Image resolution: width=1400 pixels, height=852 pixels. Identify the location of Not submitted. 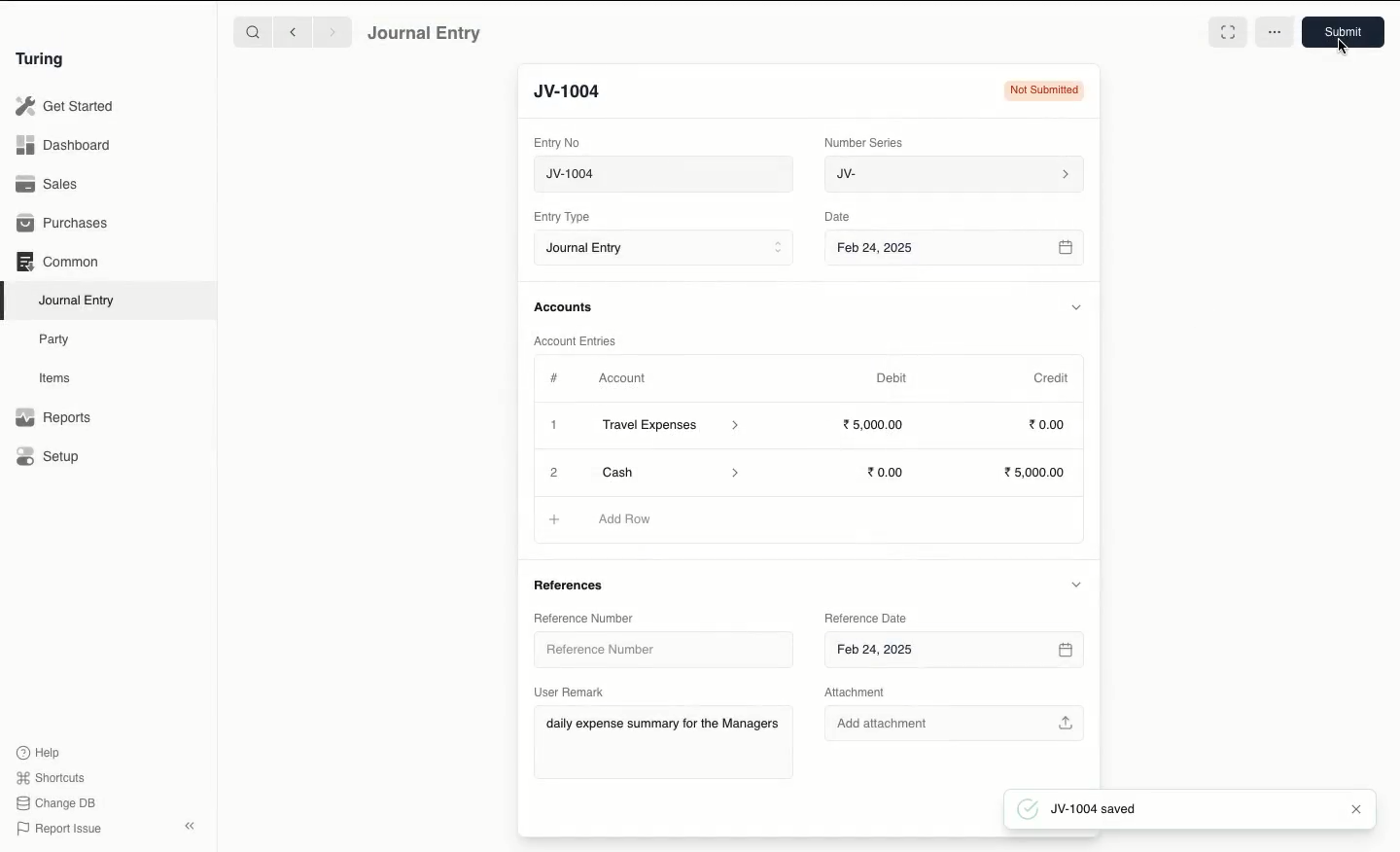
(1042, 89).